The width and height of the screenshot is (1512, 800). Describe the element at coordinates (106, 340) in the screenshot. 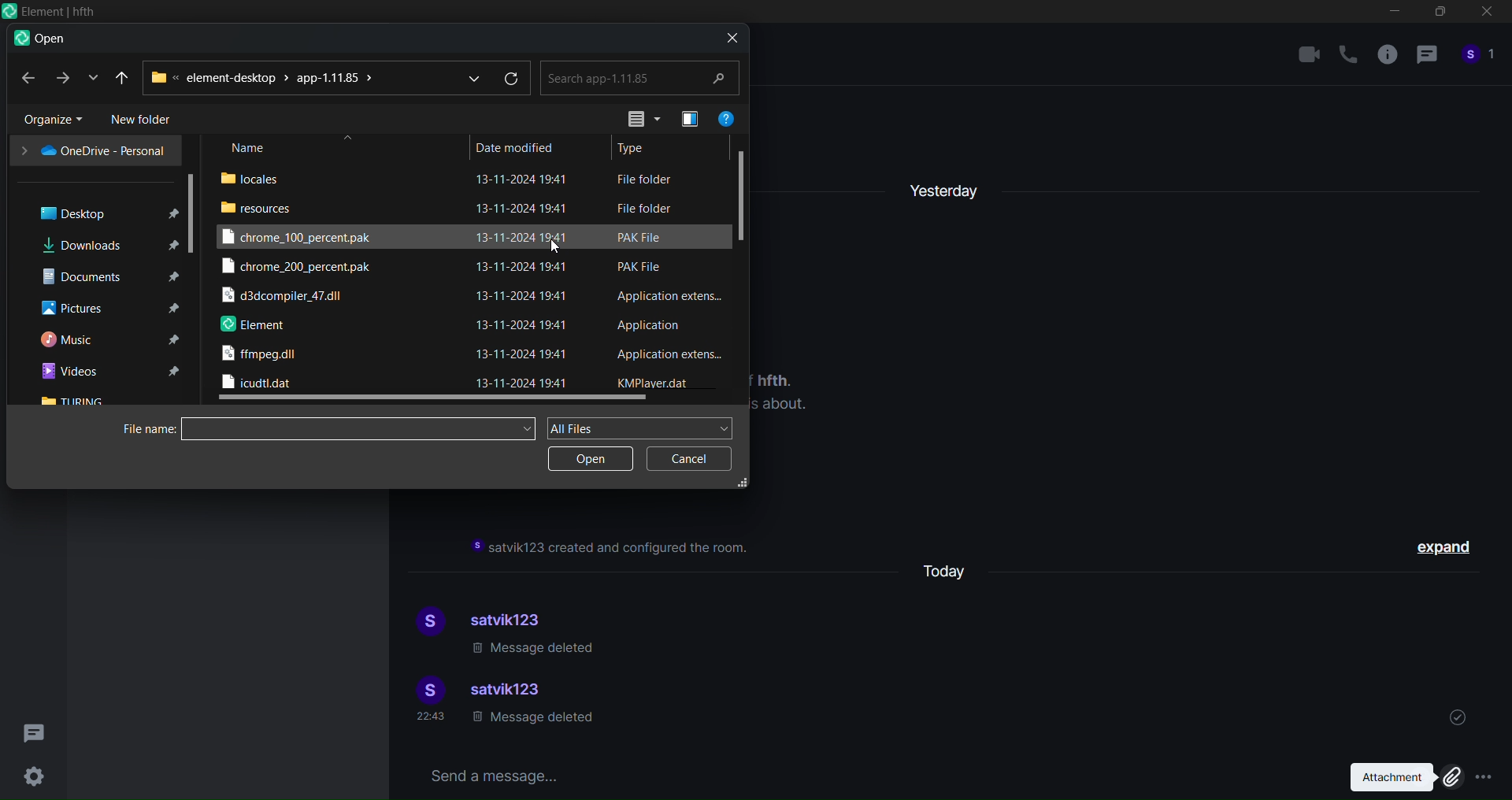

I see `music` at that location.